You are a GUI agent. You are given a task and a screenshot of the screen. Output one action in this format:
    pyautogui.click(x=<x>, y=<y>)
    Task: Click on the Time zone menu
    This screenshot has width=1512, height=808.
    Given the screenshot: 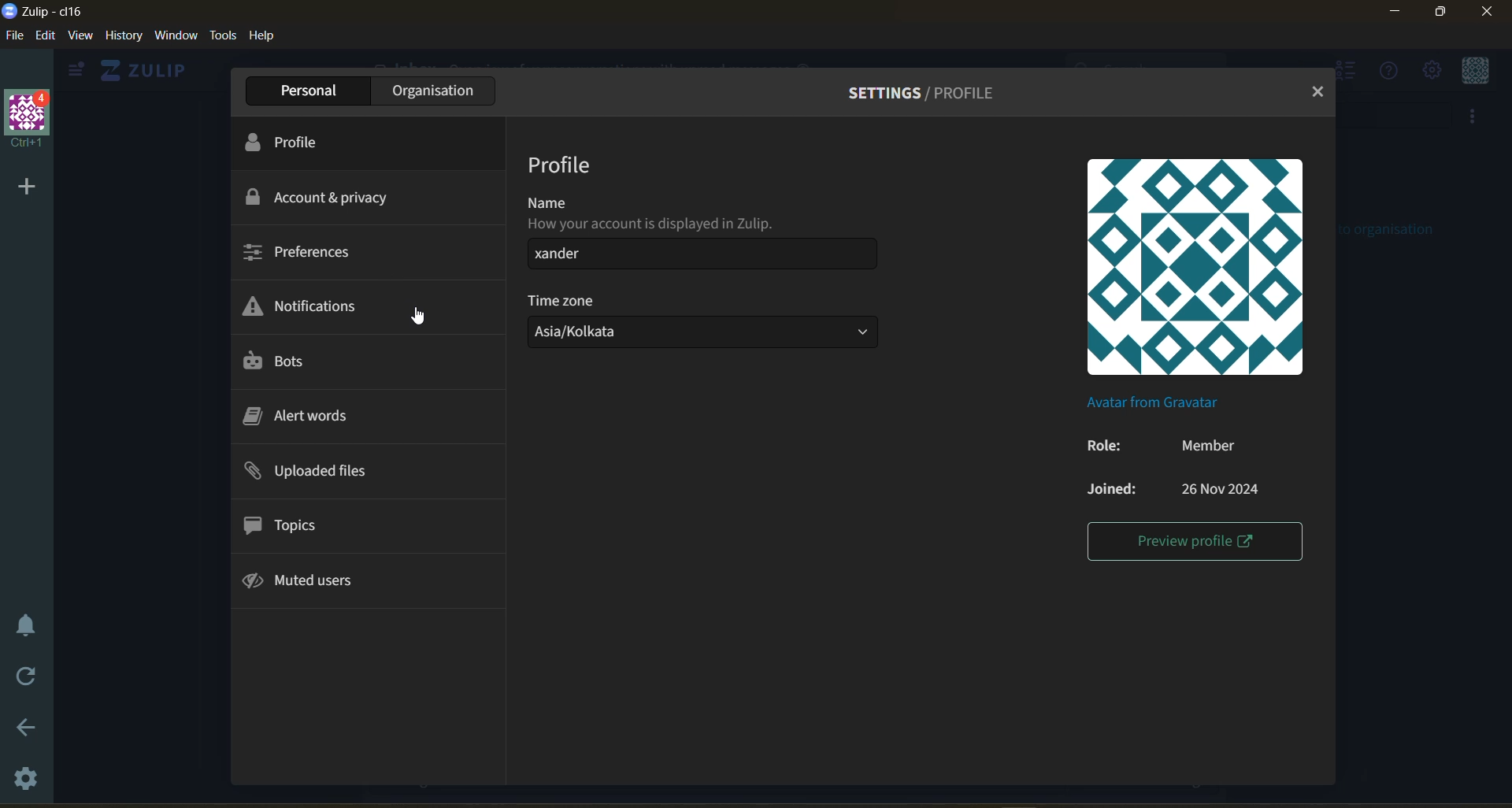 What is the action you would take?
    pyautogui.click(x=707, y=335)
    